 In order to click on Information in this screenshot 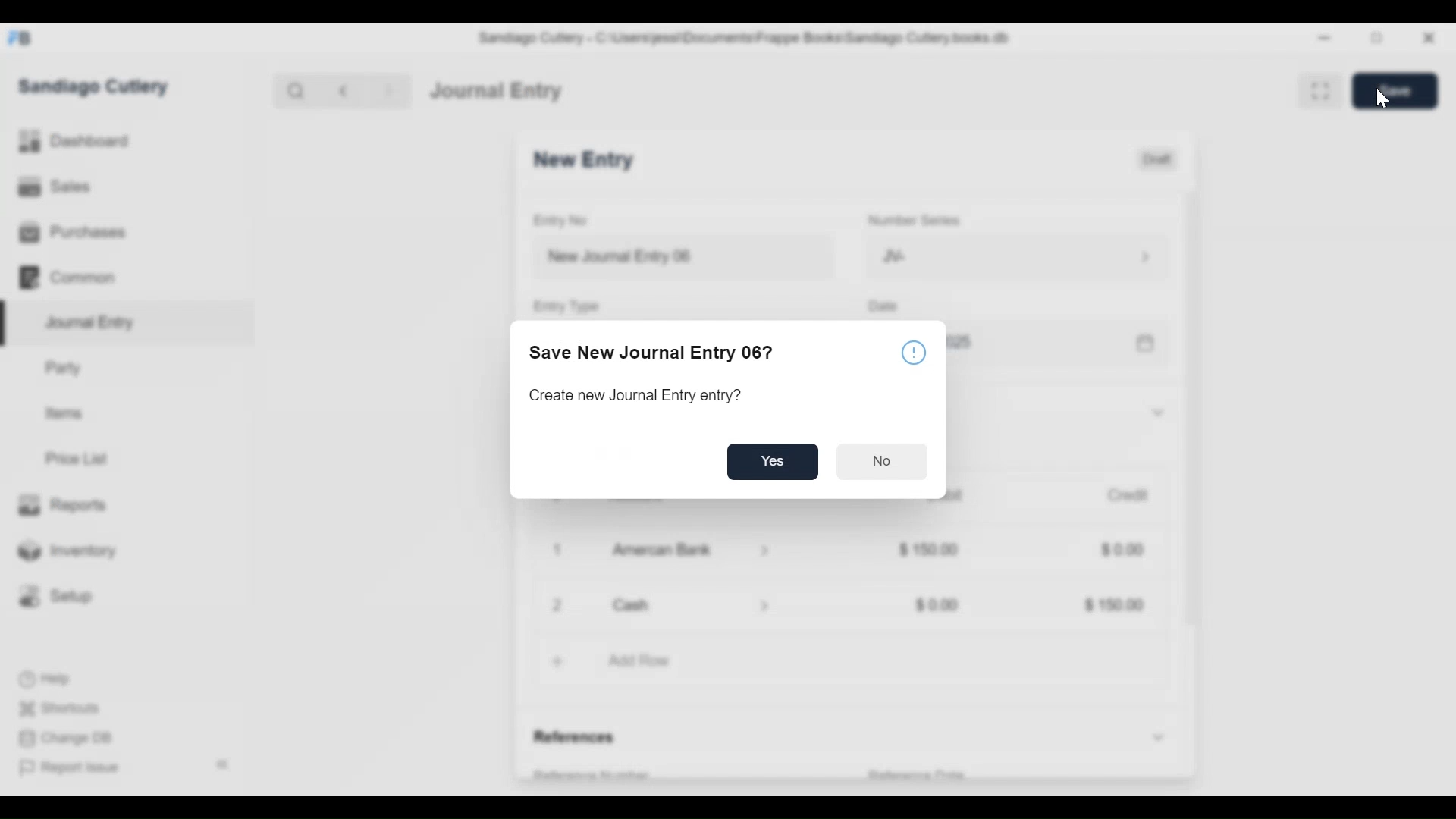, I will do `click(913, 354)`.